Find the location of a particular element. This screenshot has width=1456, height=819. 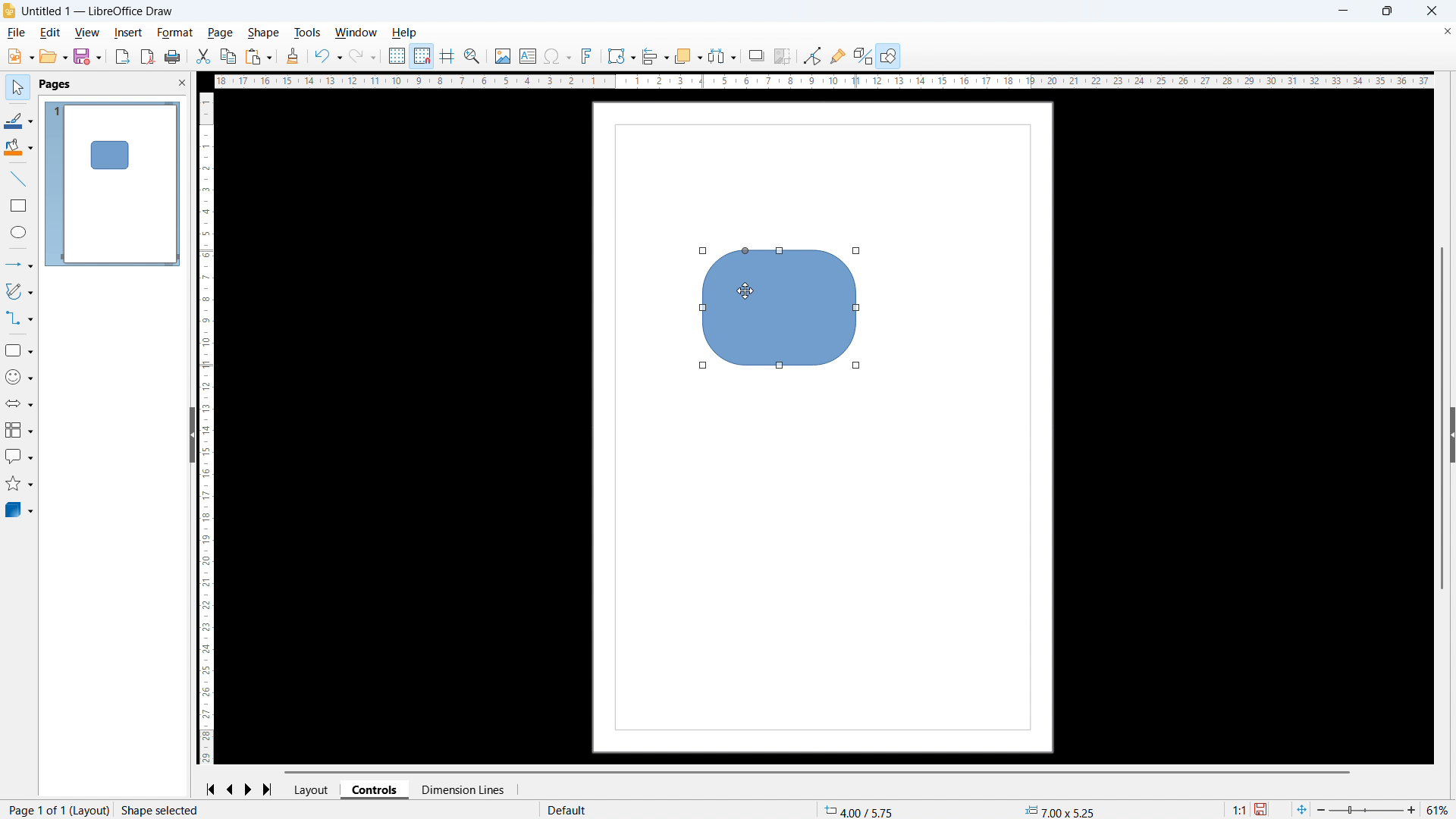

Page display is located at coordinates (112, 183).